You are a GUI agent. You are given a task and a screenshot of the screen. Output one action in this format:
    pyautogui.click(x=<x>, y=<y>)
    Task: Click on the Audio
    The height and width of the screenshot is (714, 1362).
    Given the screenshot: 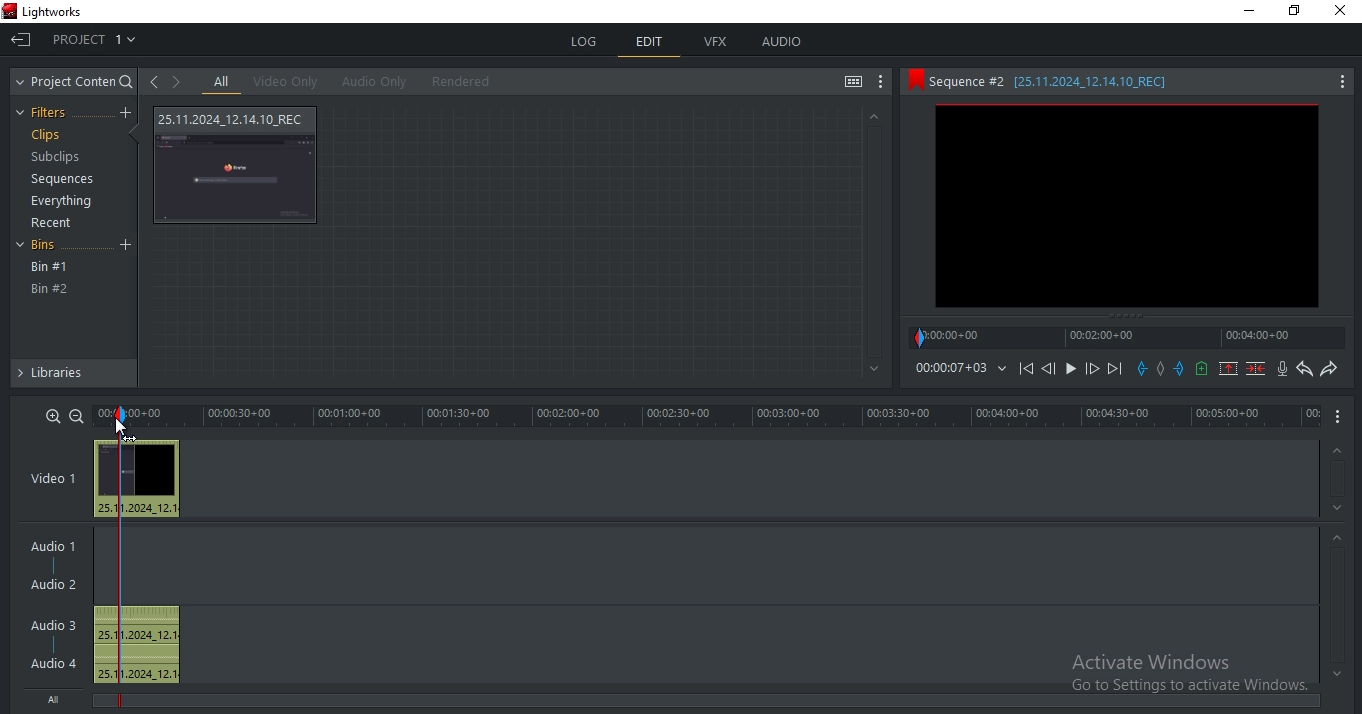 What is the action you would take?
    pyautogui.click(x=56, y=663)
    